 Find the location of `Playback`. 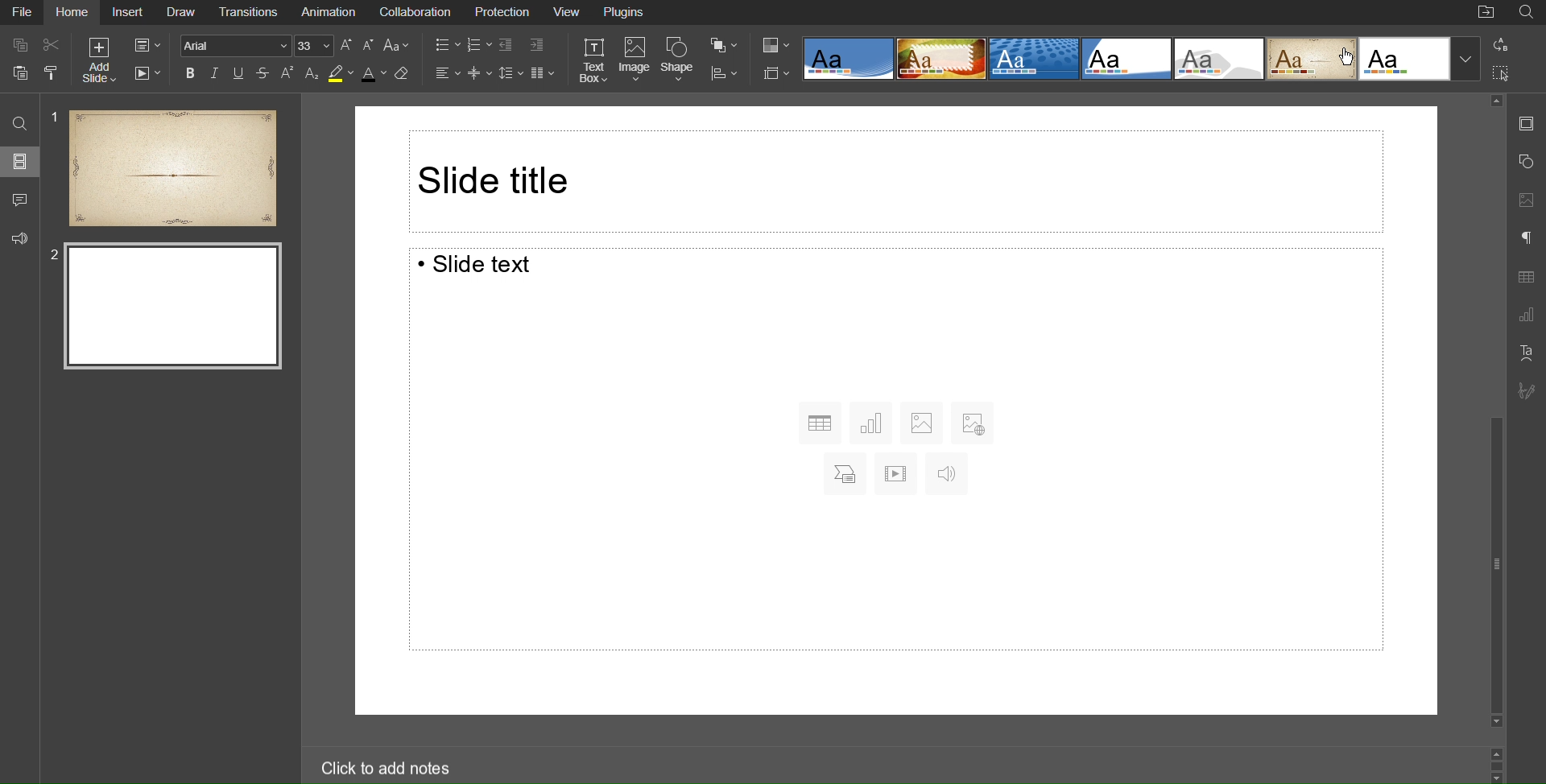

Playback is located at coordinates (144, 73).